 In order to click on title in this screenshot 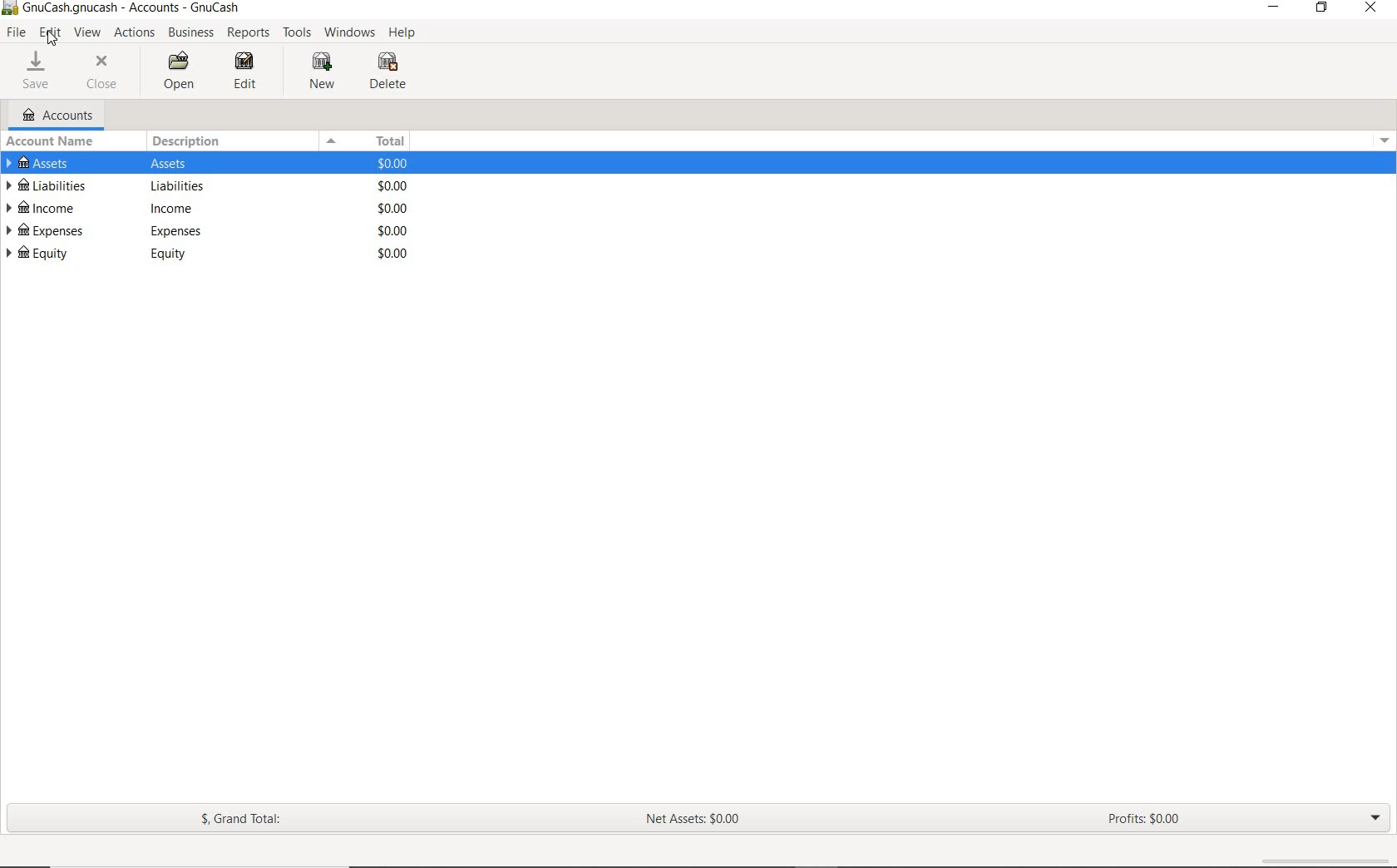, I will do `click(132, 9)`.